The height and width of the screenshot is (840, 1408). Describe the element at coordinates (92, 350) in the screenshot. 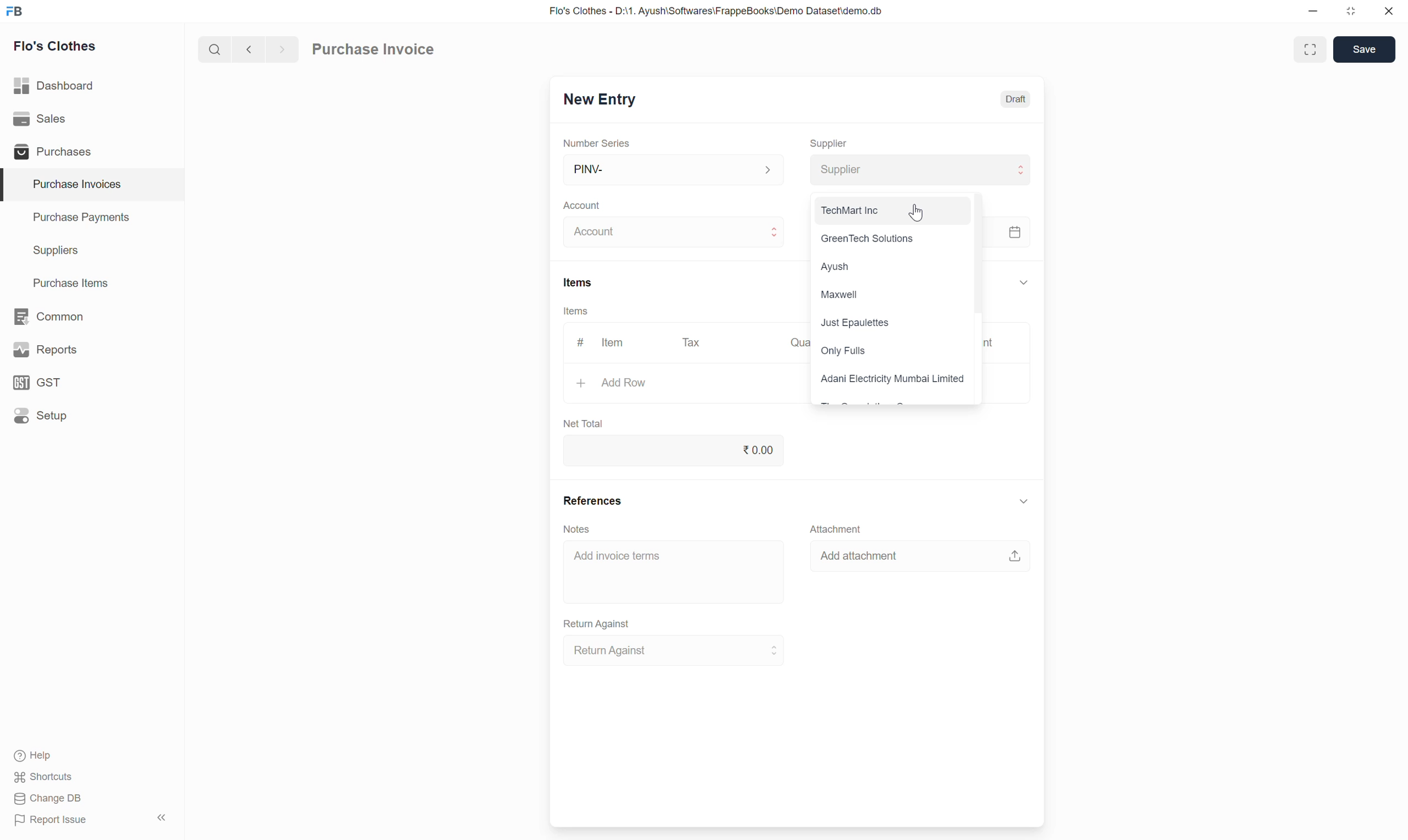

I see `Reports` at that location.